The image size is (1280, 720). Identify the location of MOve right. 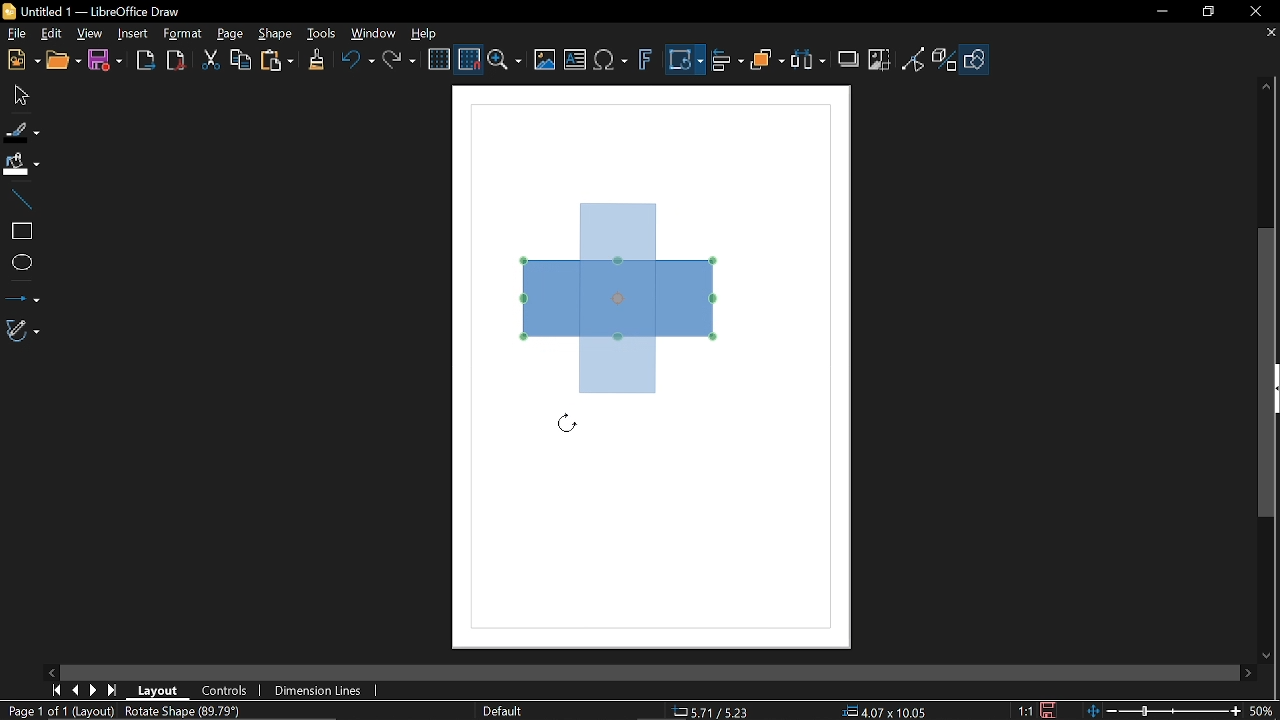
(91, 691).